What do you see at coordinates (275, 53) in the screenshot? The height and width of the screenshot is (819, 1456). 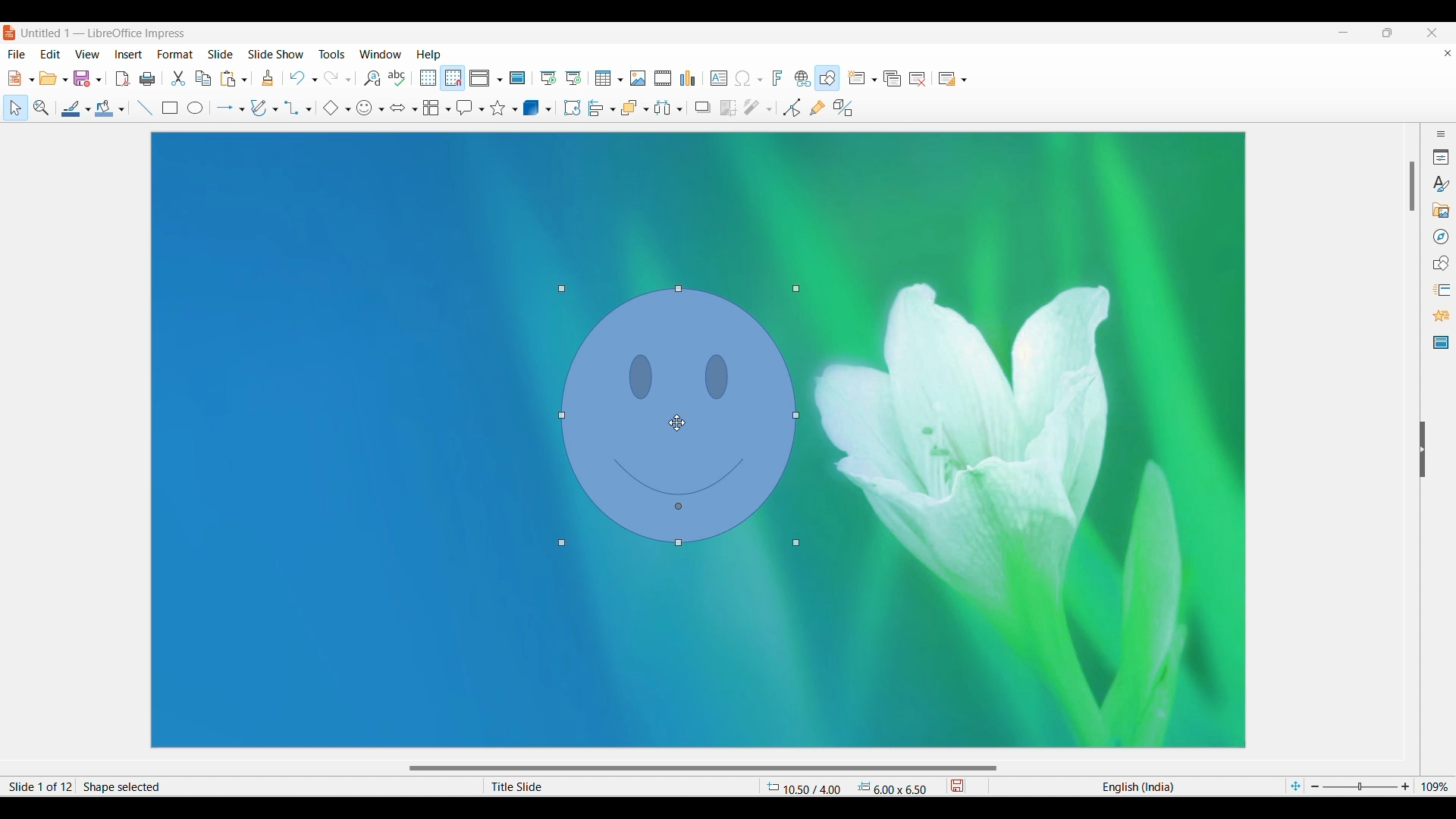 I see `Slide show` at bounding box center [275, 53].